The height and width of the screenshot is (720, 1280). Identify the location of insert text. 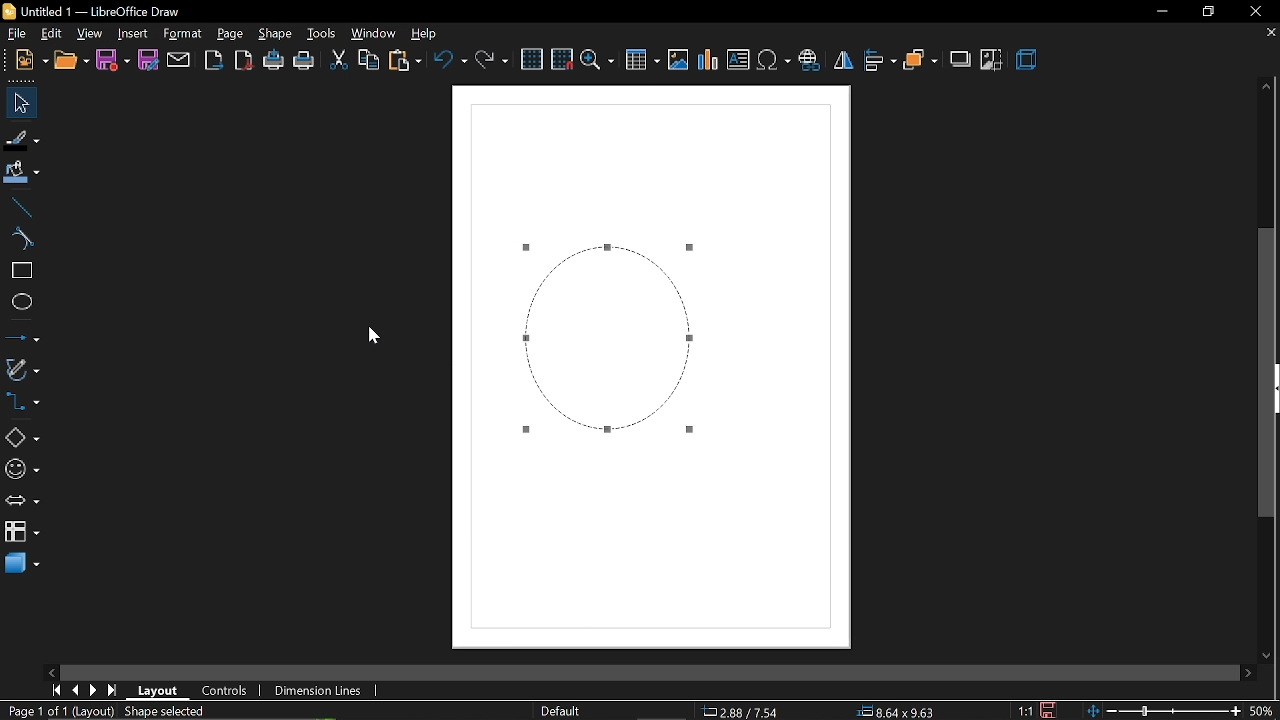
(738, 60).